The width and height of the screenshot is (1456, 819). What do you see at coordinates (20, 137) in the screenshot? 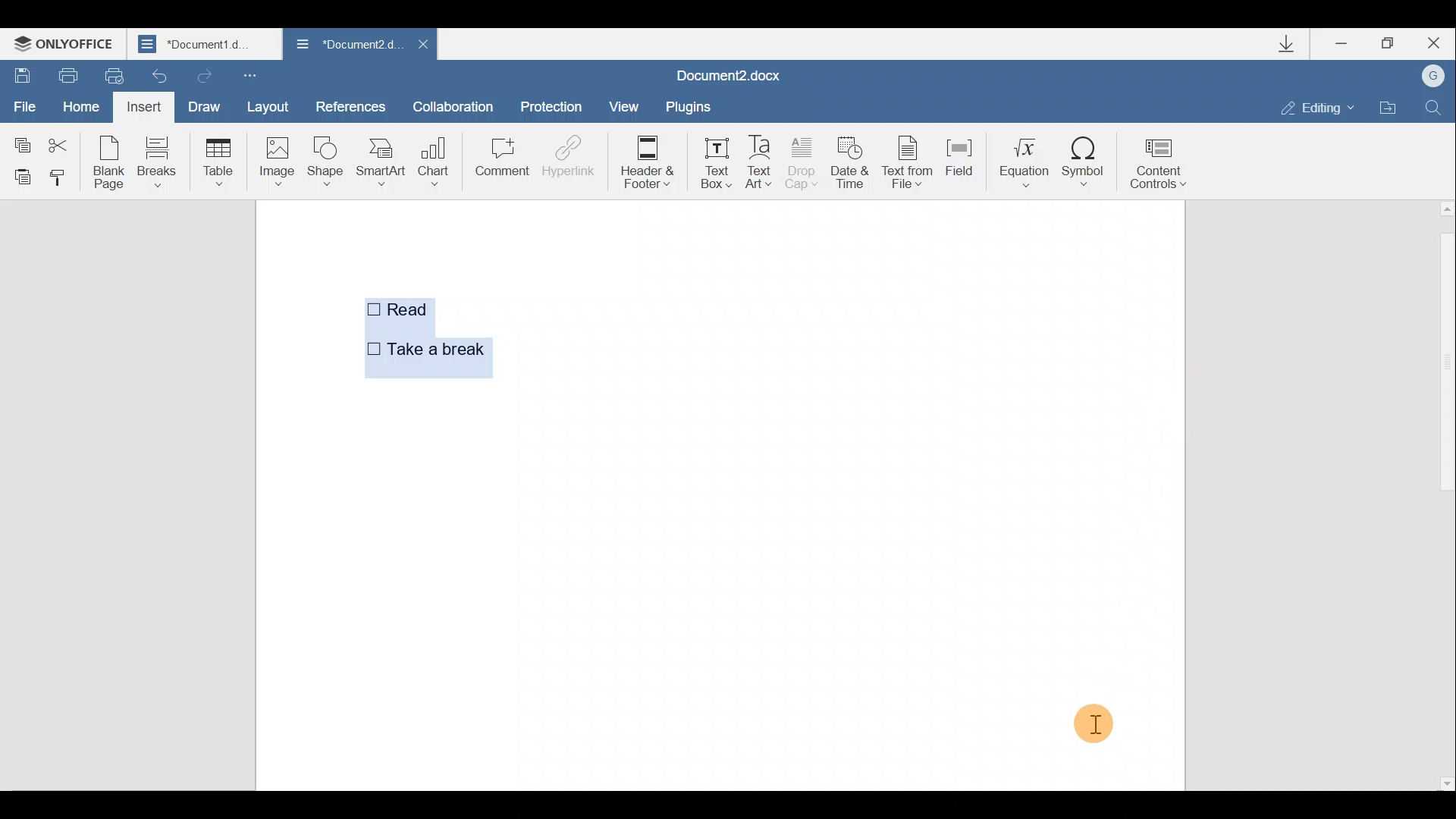
I see `Copy` at bounding box center [20, 137].